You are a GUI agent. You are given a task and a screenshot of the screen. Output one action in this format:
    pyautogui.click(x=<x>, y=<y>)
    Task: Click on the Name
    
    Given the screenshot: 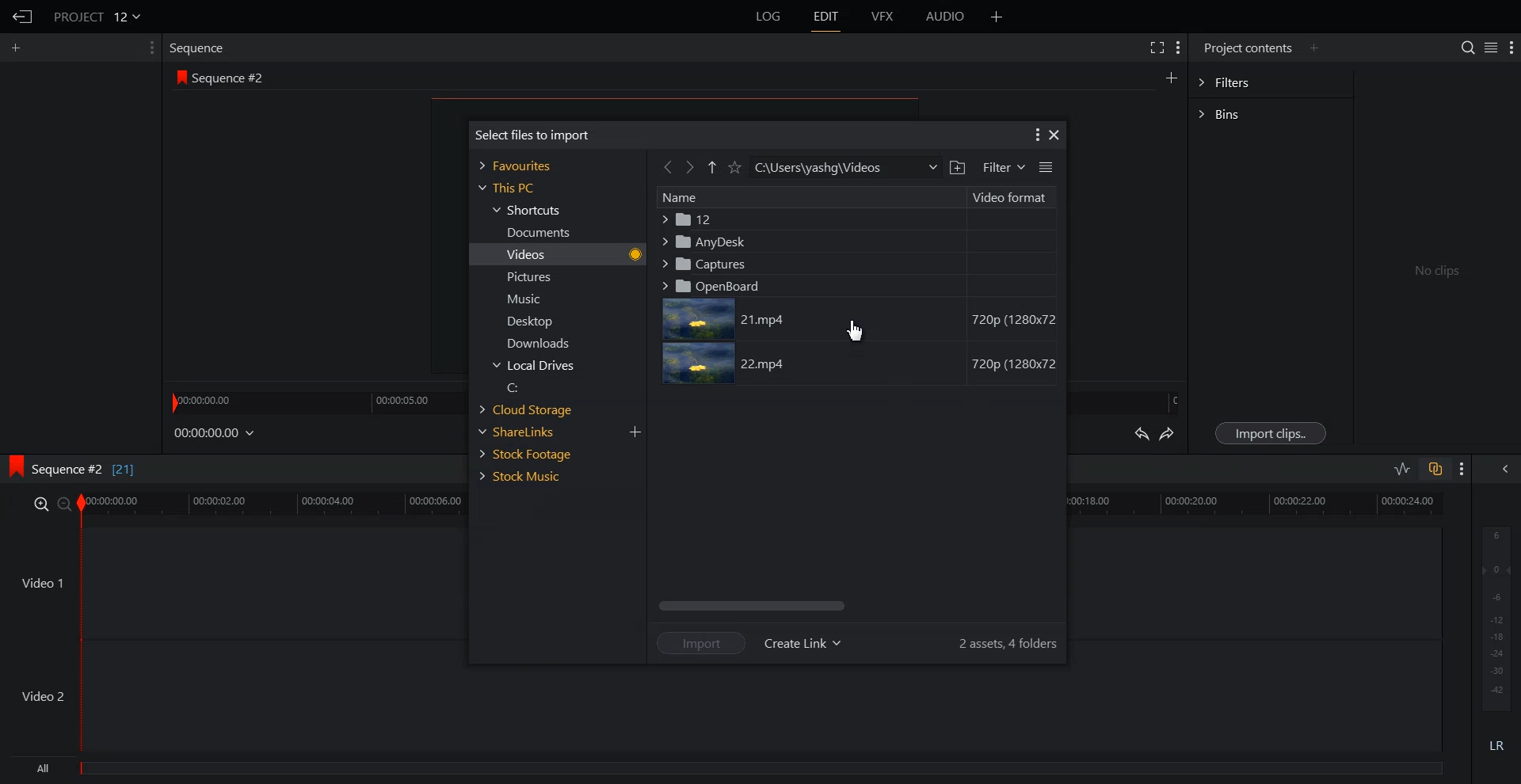 What is the action you would take?
    pyautogui.click(x=810, y=198)
    